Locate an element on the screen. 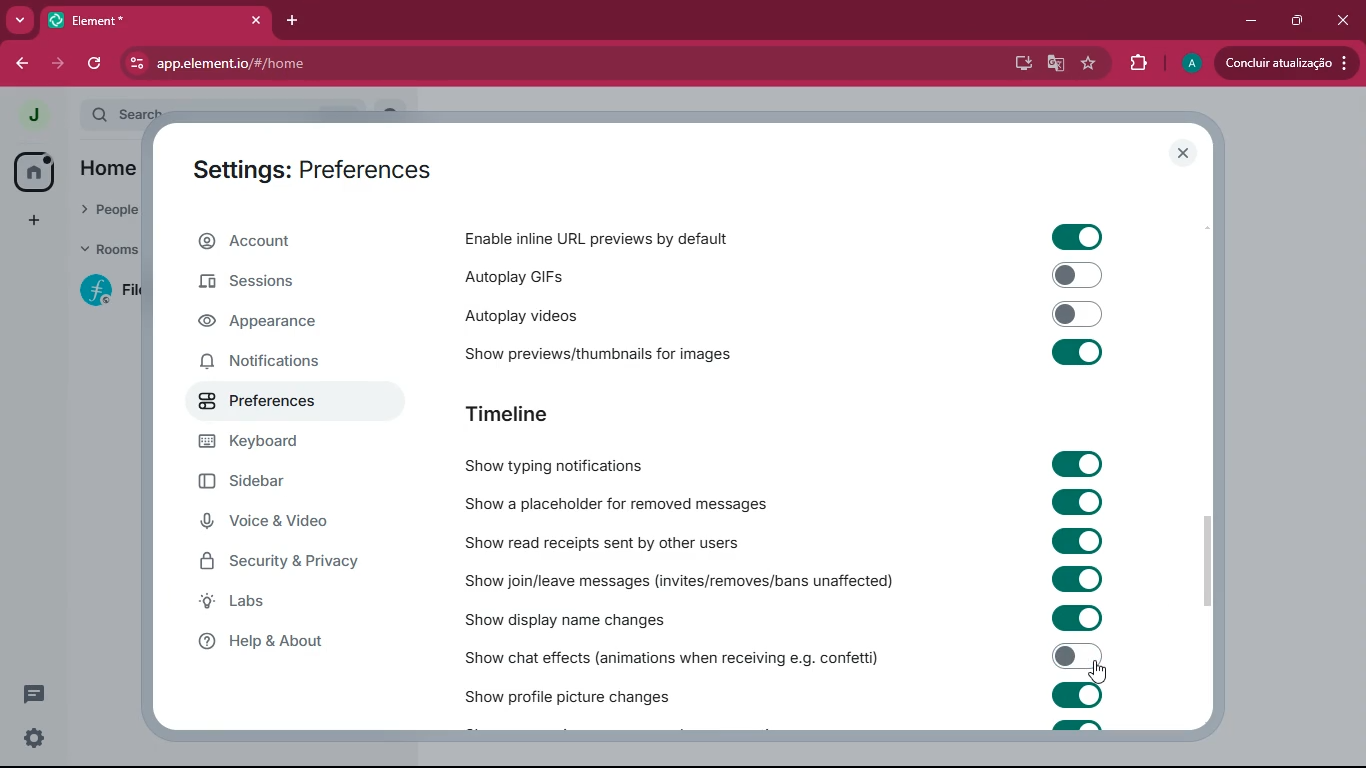 This screenshot has height=768, width=1366. close tab is located at coordinates (258, 21).